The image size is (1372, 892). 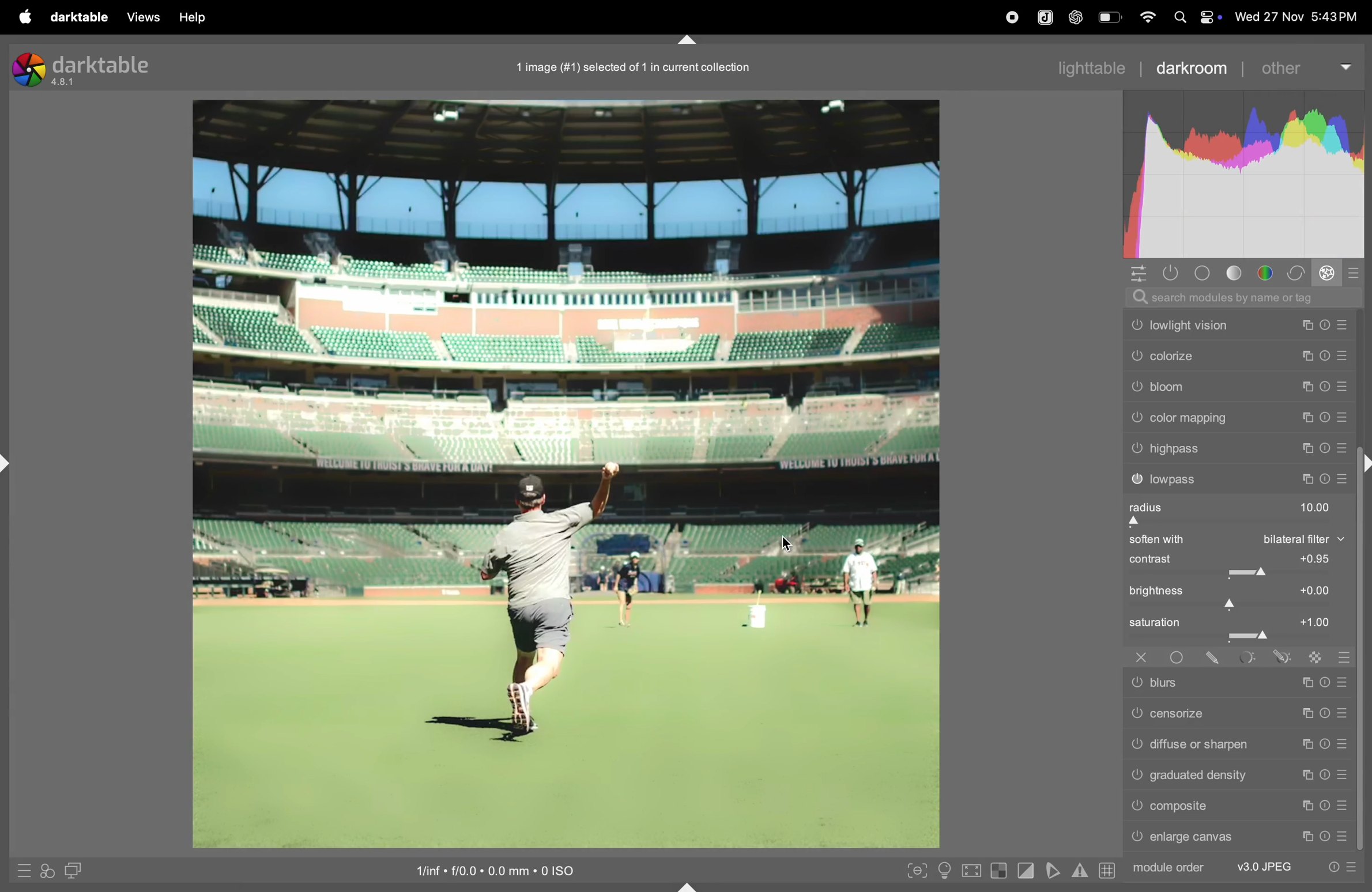 What do you see at coordinates (1009, 17) in the screenshot?
I see `record` at bounding box center [1009, 17].